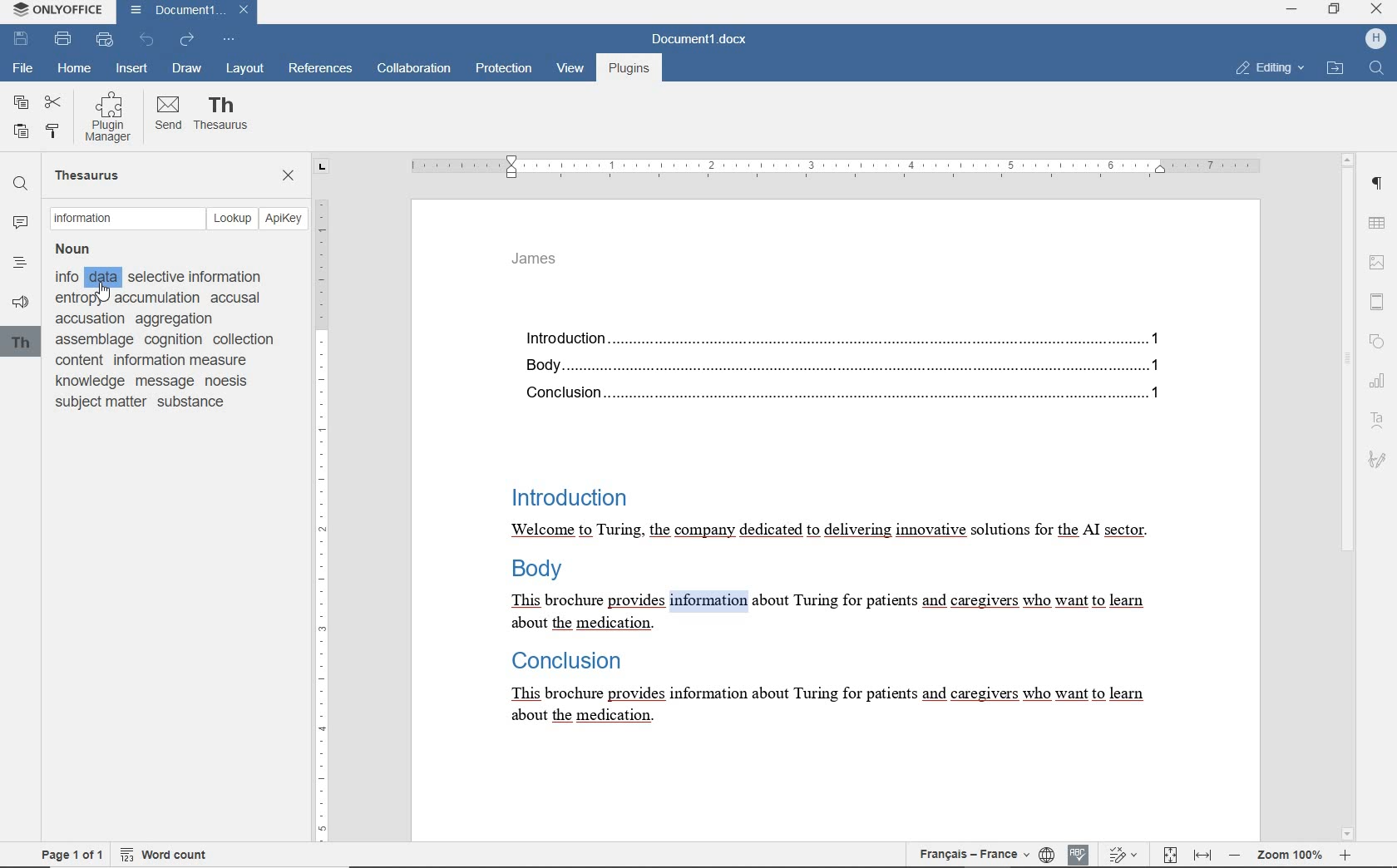 The width and height of the screenshot is (1397, 868). Describe the element at coordinates (21, 132) in the screenshot. I see `PASTE` at that location.